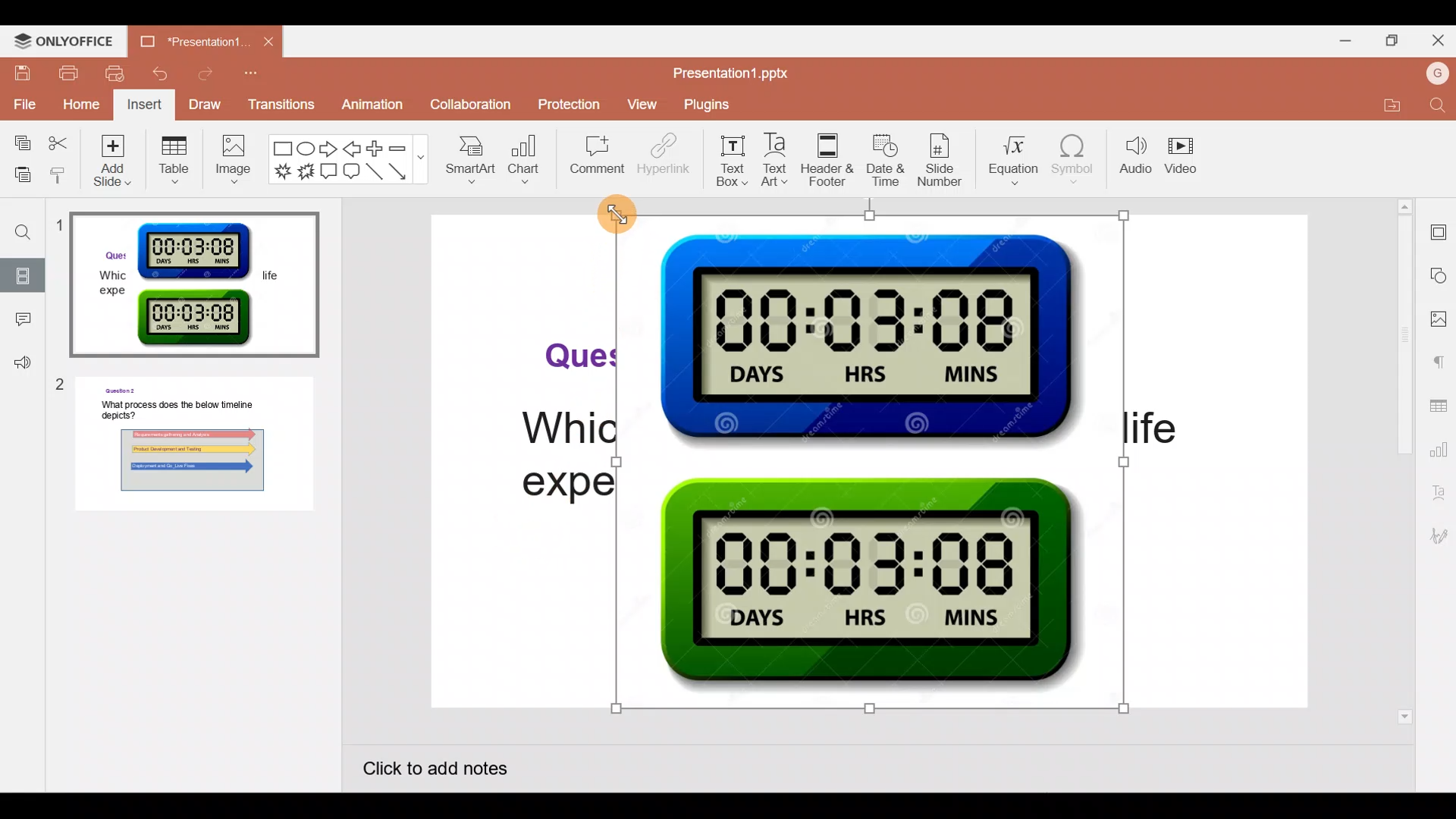 Image resolution: width=1456 pixels, height=819 pixels. I want to click on Minimize, so click(1342, 39).